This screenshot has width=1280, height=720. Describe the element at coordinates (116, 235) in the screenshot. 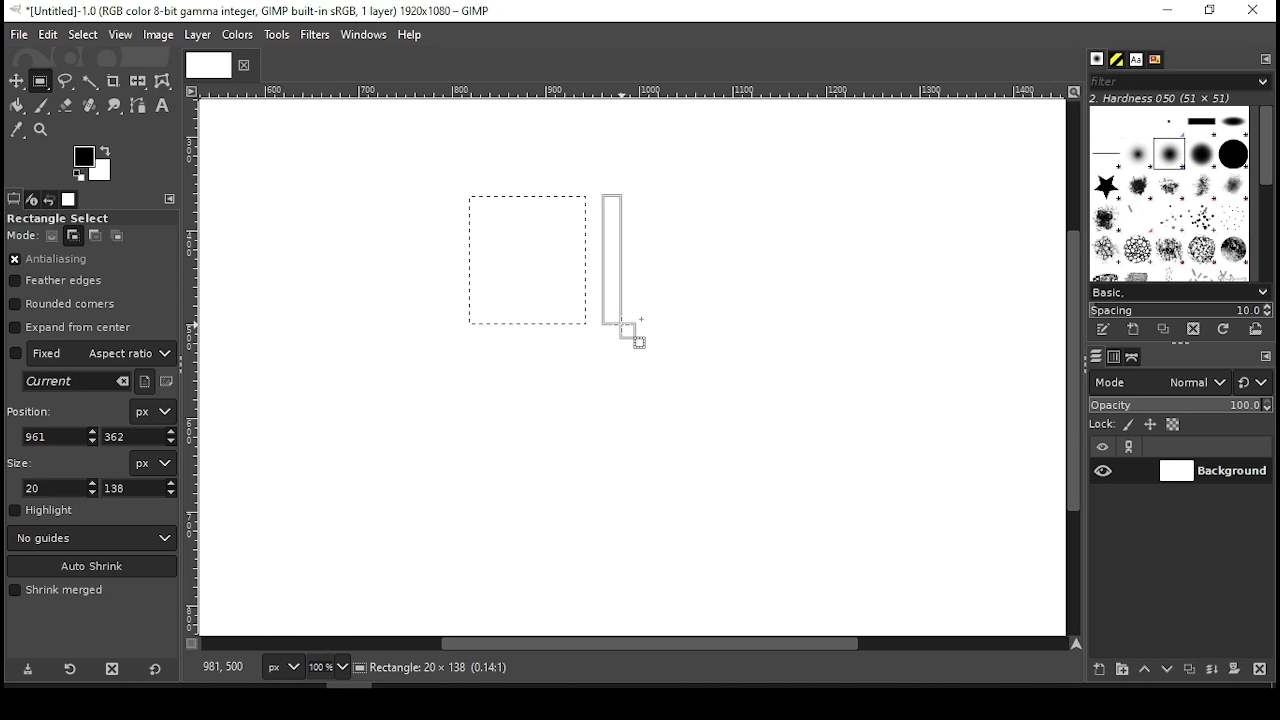

I see `intersect with the current selection` at that location.